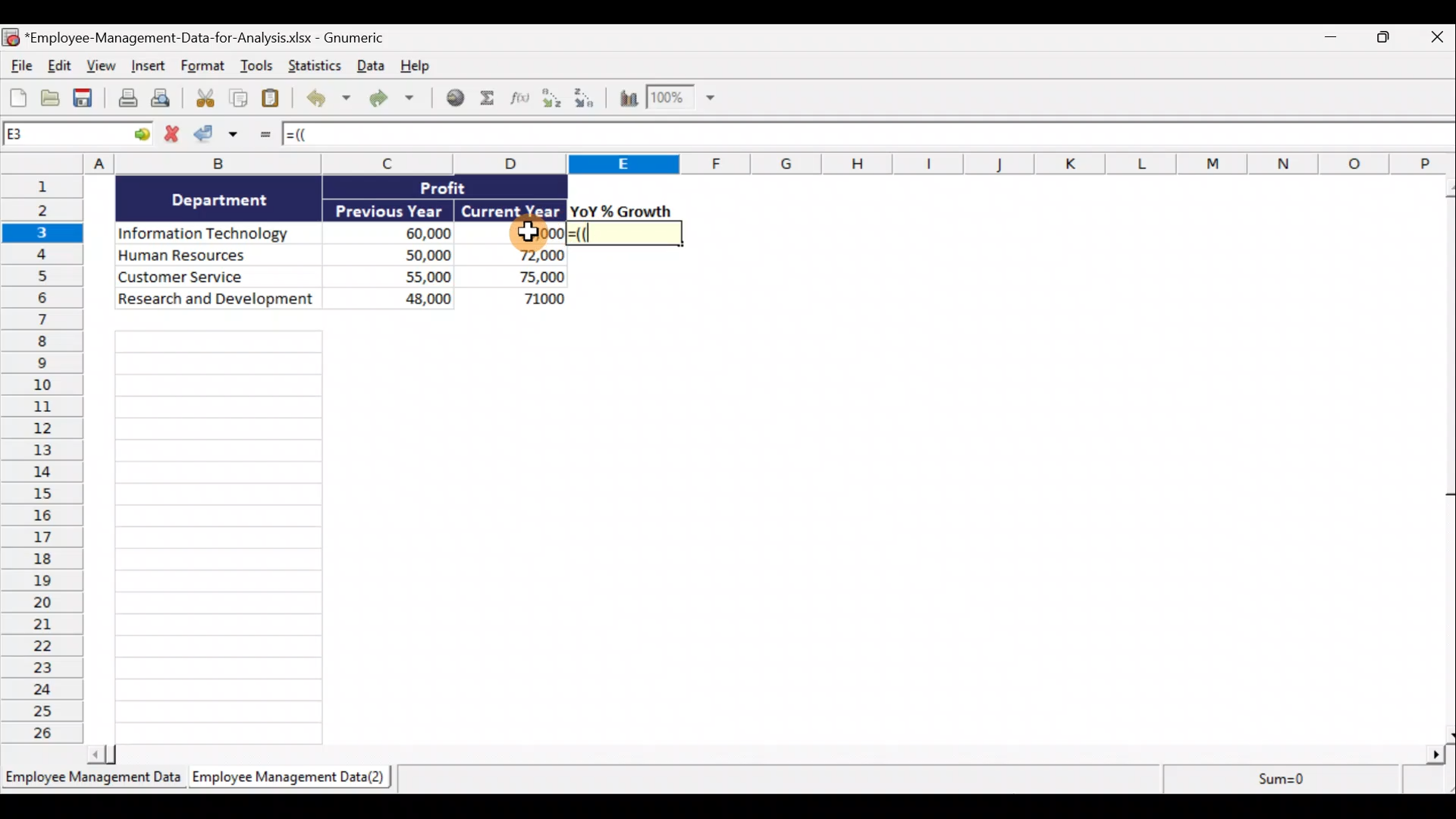 The width and height of the screenshot is (1456, 819). Describe the element at coordinates (491, 99) in the screenshot. I see `Sum into the current cell` at that location.